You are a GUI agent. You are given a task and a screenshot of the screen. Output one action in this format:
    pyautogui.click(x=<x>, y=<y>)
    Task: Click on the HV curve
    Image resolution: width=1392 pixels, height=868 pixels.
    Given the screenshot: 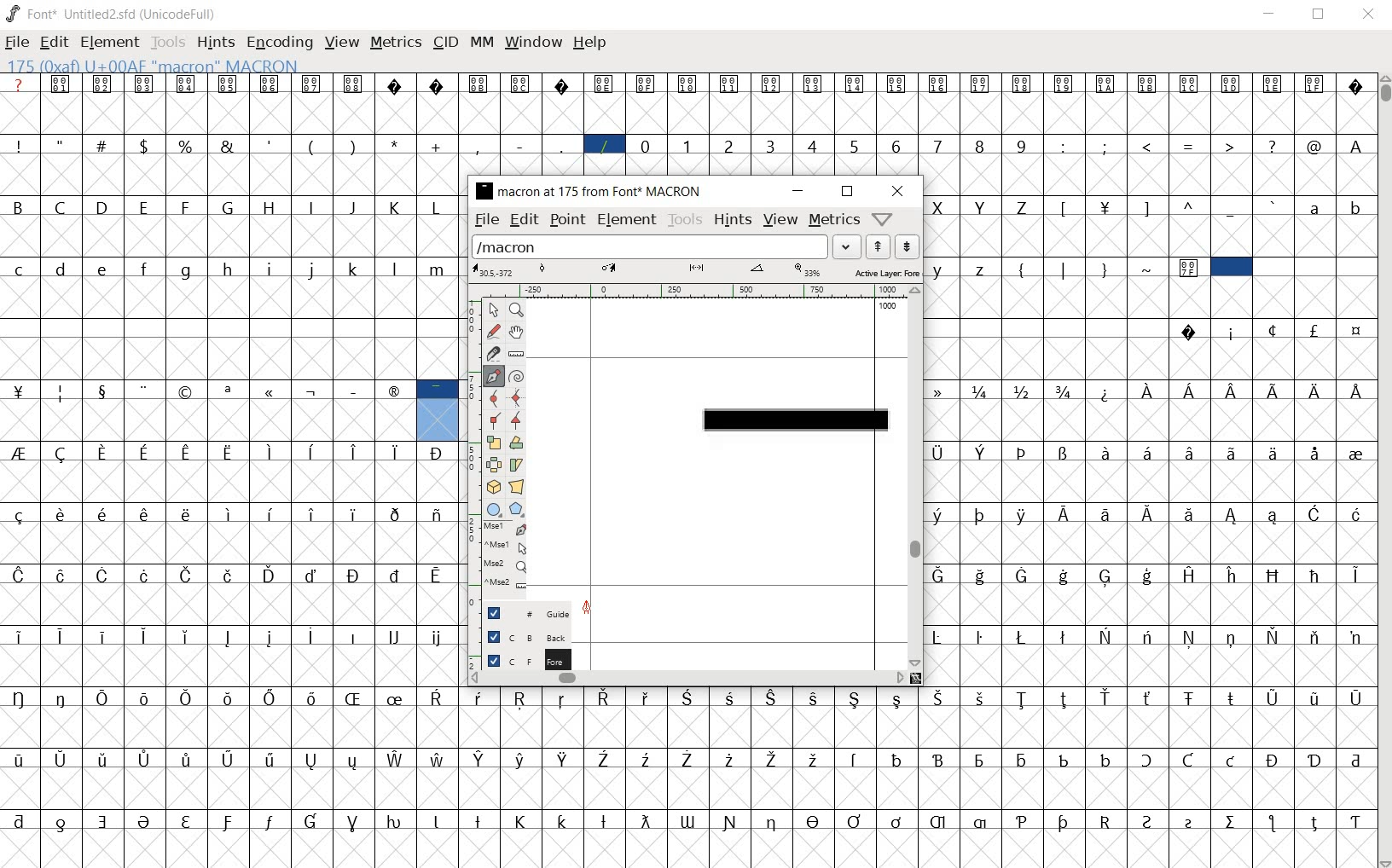 What is the action you would take?
    pyautogui.click(x=517, y=398)
    